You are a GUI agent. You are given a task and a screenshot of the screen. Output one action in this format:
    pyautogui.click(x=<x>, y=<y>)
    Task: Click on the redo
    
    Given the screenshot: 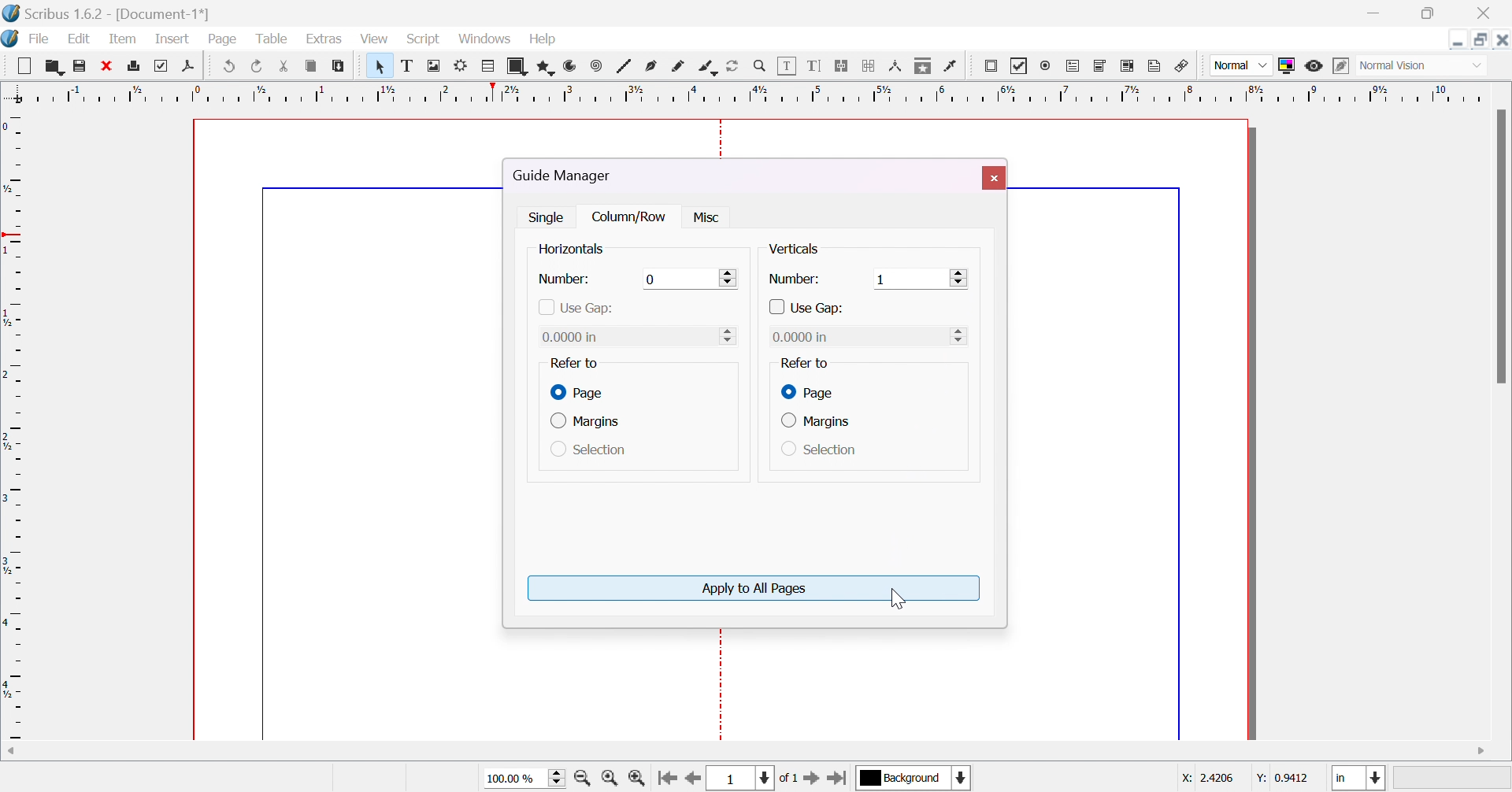 What is the action you would take?
    pyautogui.click(x=256, y=65)
    